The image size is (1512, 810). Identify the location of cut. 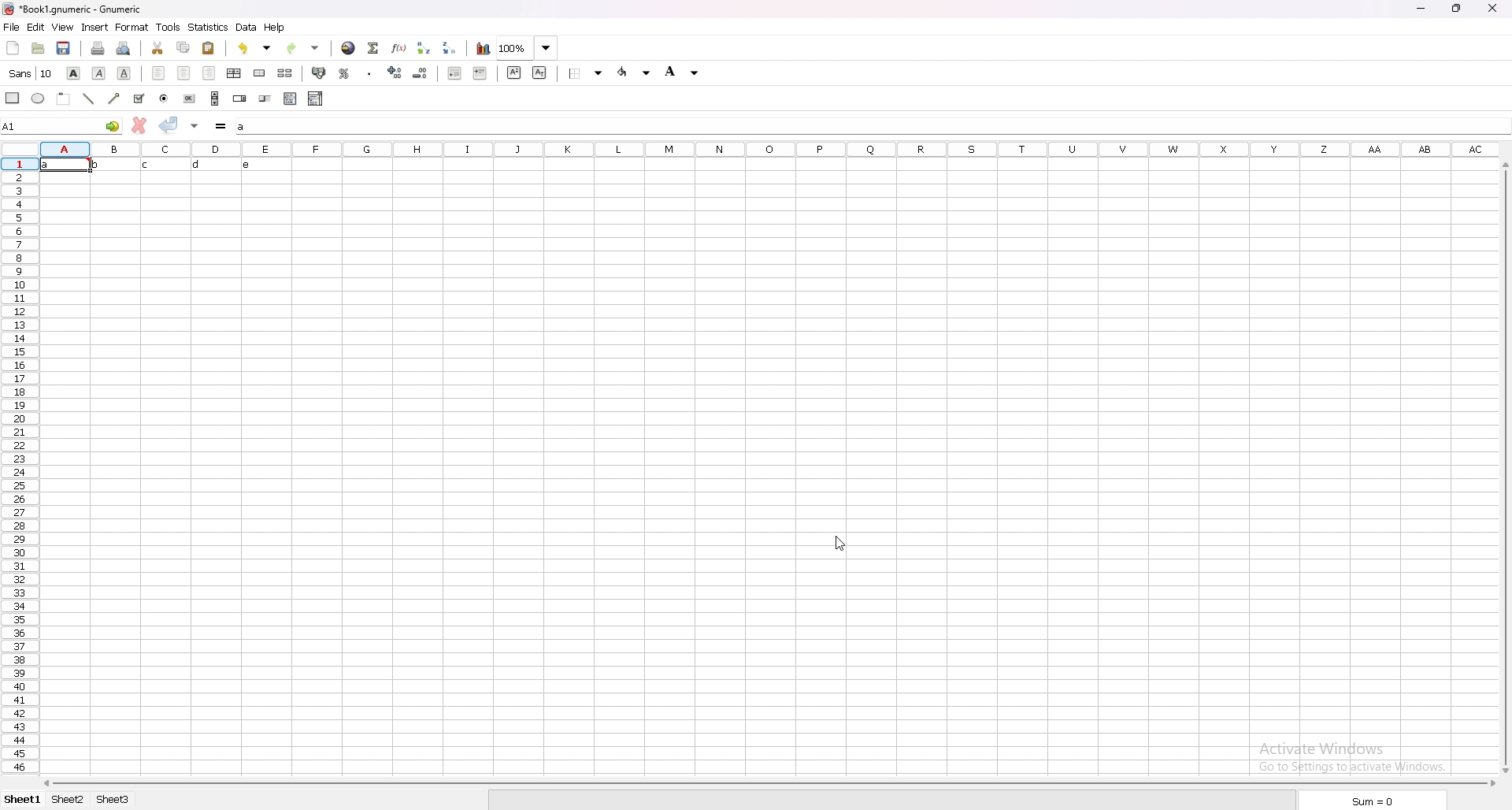
(157, 47).